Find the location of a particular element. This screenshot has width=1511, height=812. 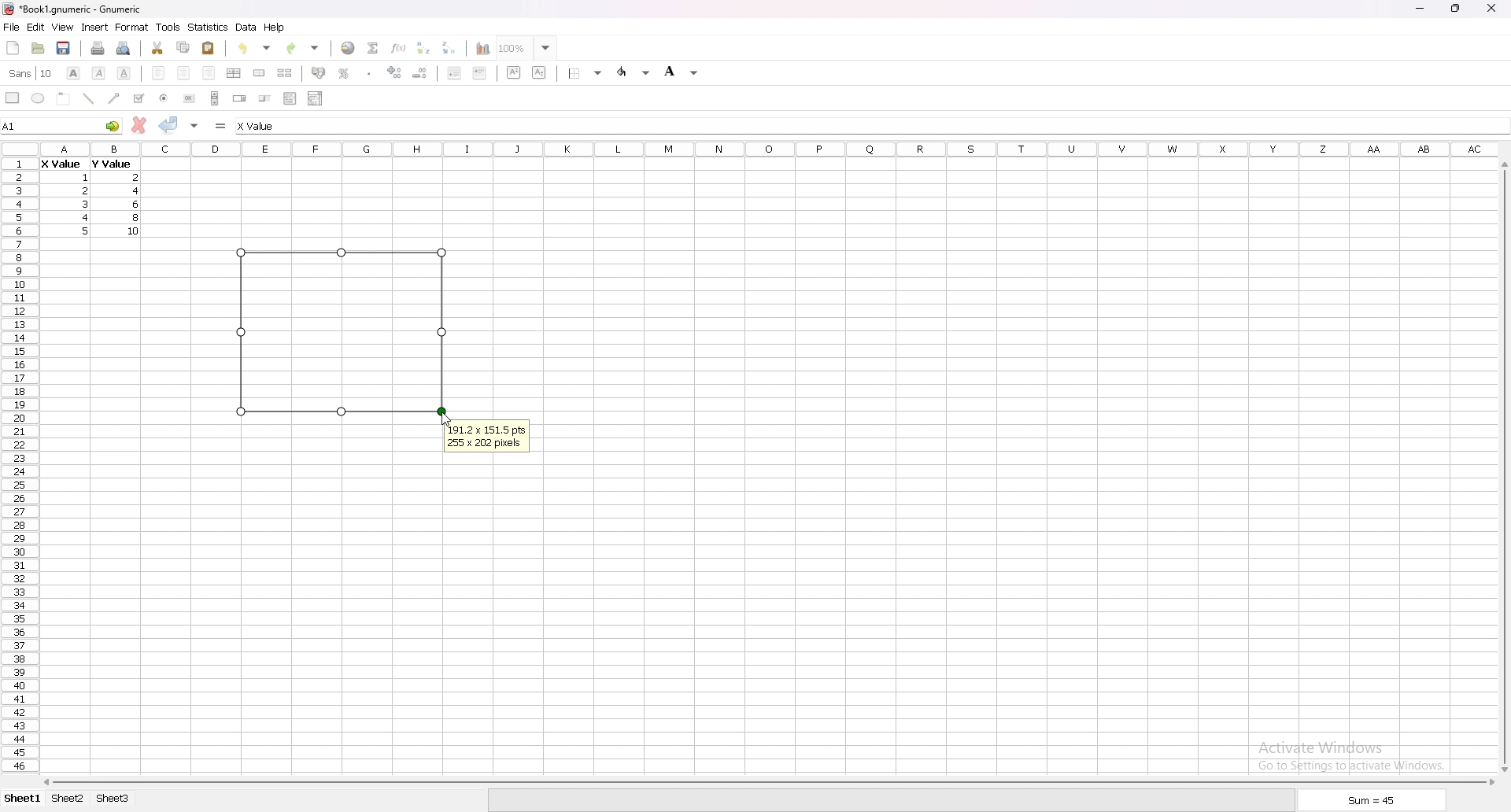

help is located at coordinates (275, 27).